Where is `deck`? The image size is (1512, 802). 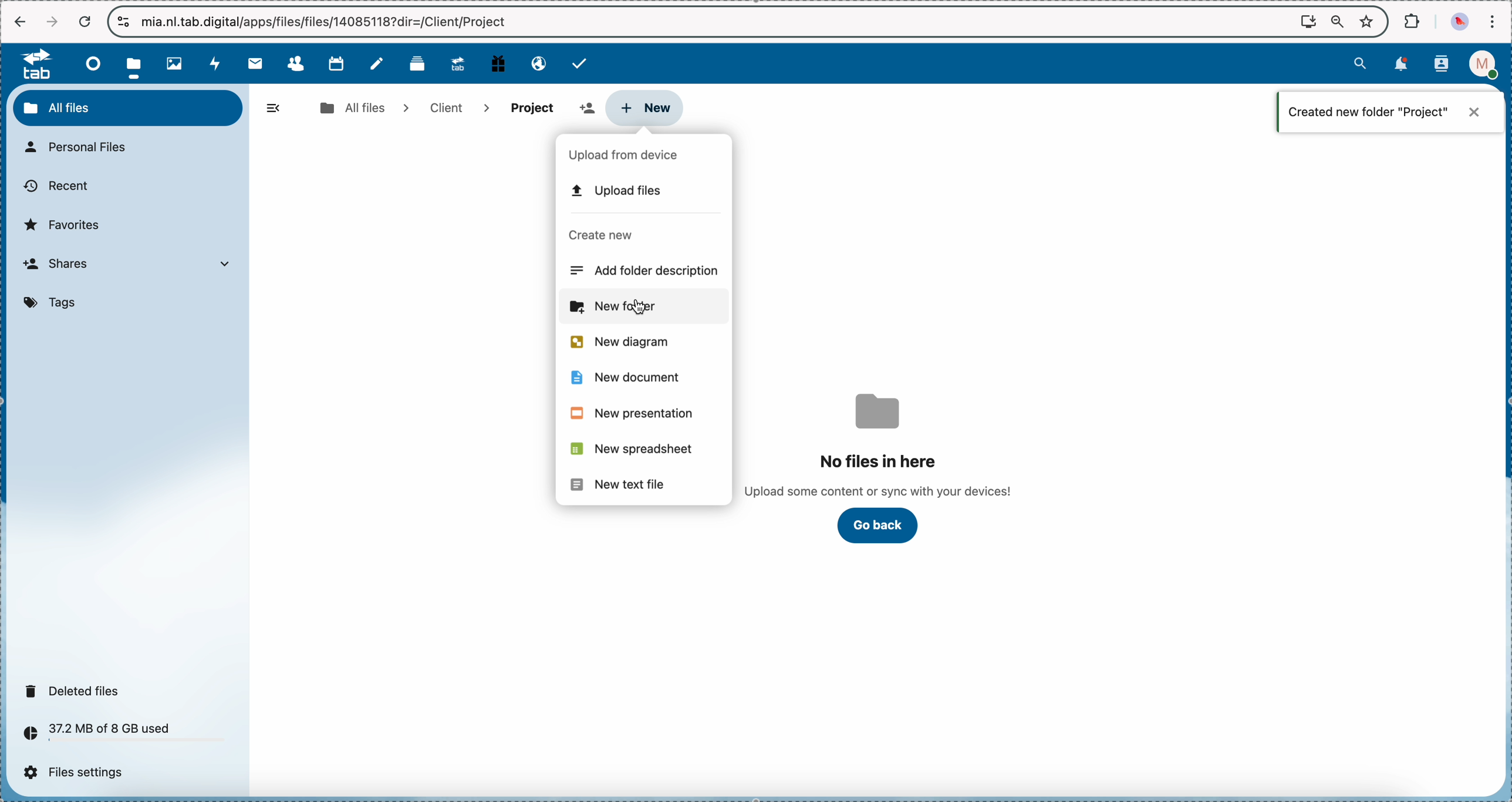
deck is located at coordinates (420, 62).